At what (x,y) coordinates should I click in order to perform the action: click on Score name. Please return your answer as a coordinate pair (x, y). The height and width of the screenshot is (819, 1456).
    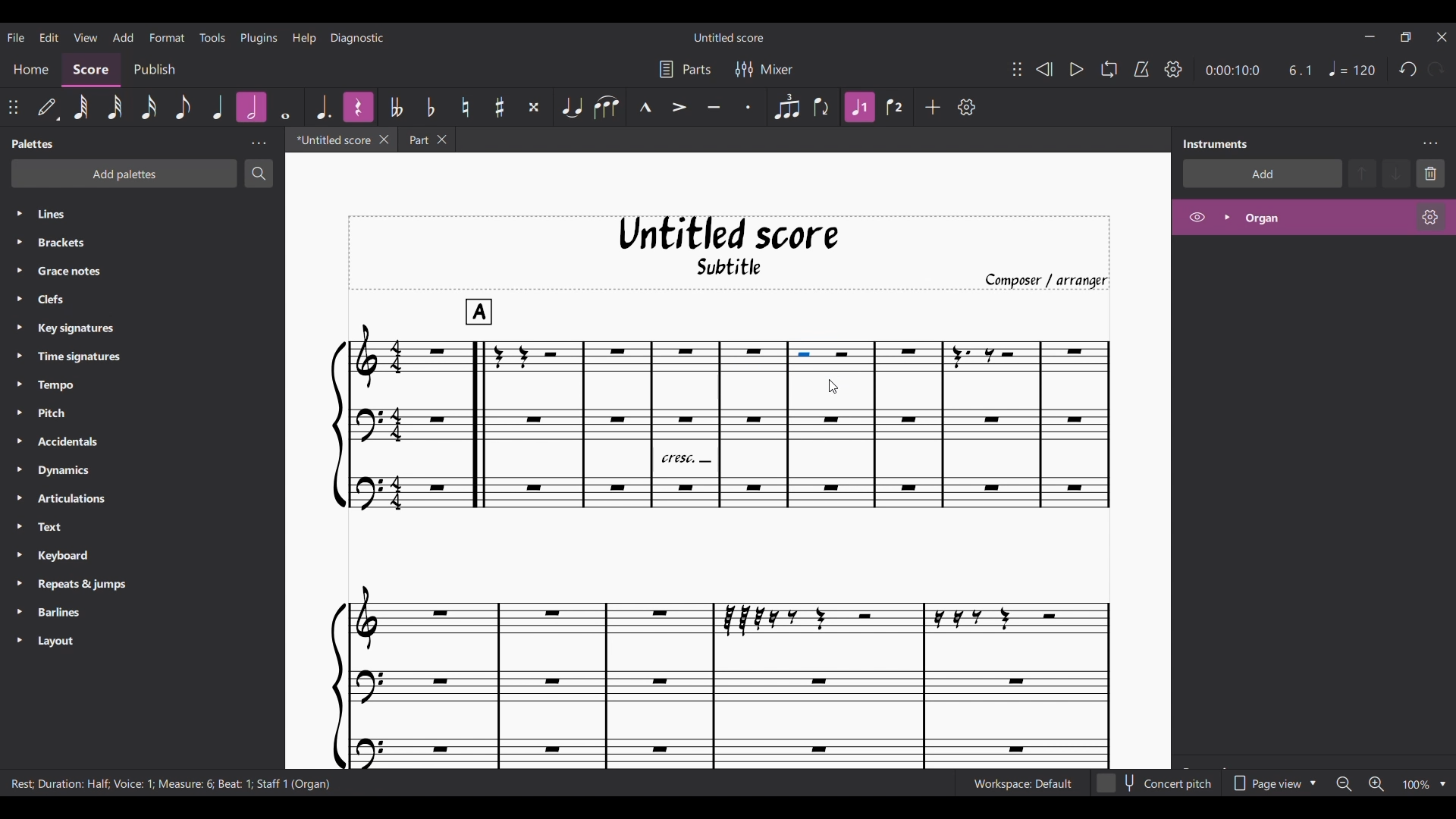
    Looking at the image, I should click on (730, 36).